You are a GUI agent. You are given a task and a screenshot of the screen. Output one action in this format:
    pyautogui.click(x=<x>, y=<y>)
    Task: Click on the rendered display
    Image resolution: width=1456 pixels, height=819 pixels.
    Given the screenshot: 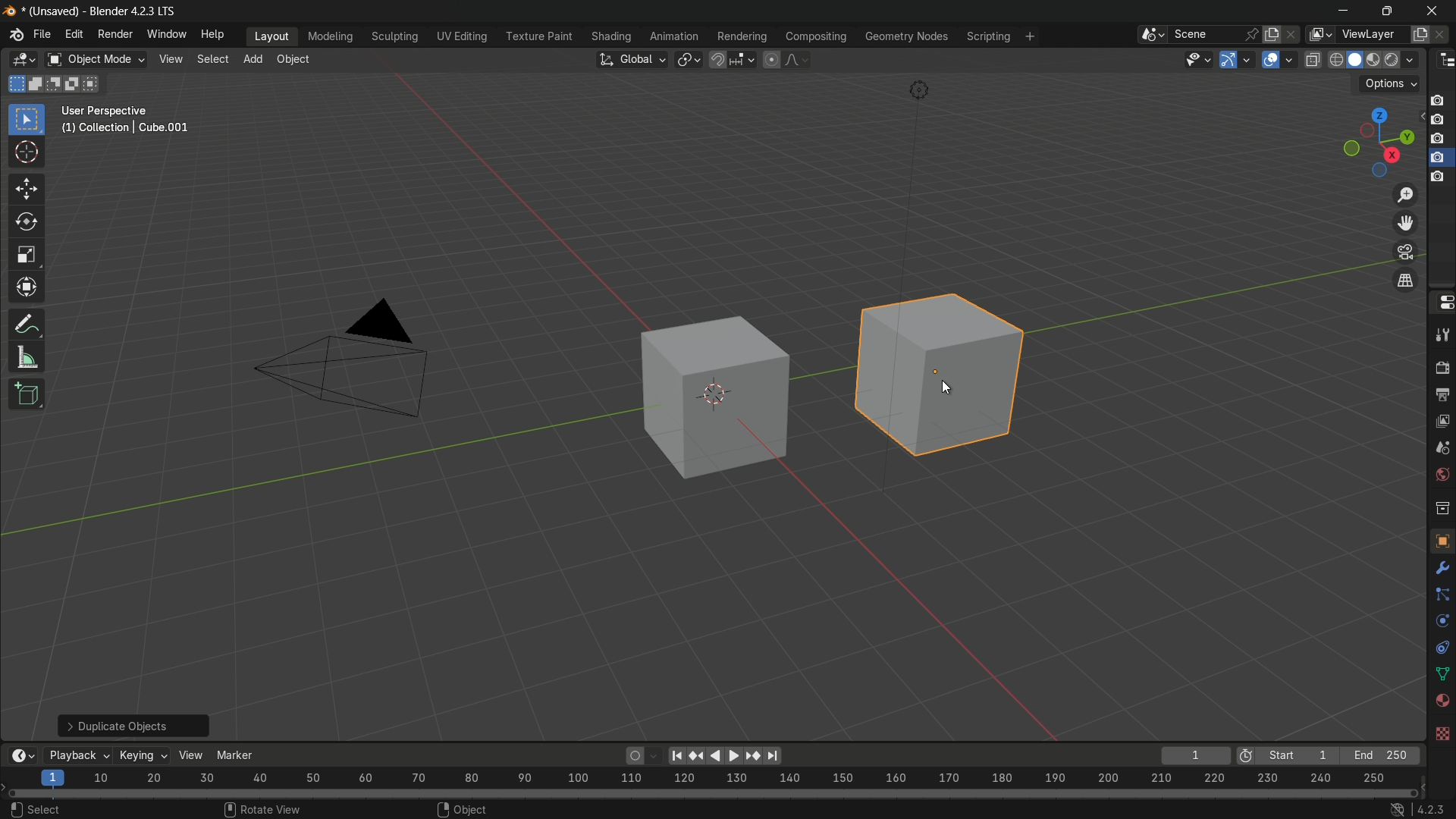 What is the action you would take?
    pyautogui.click(x=1402, y=61)
    